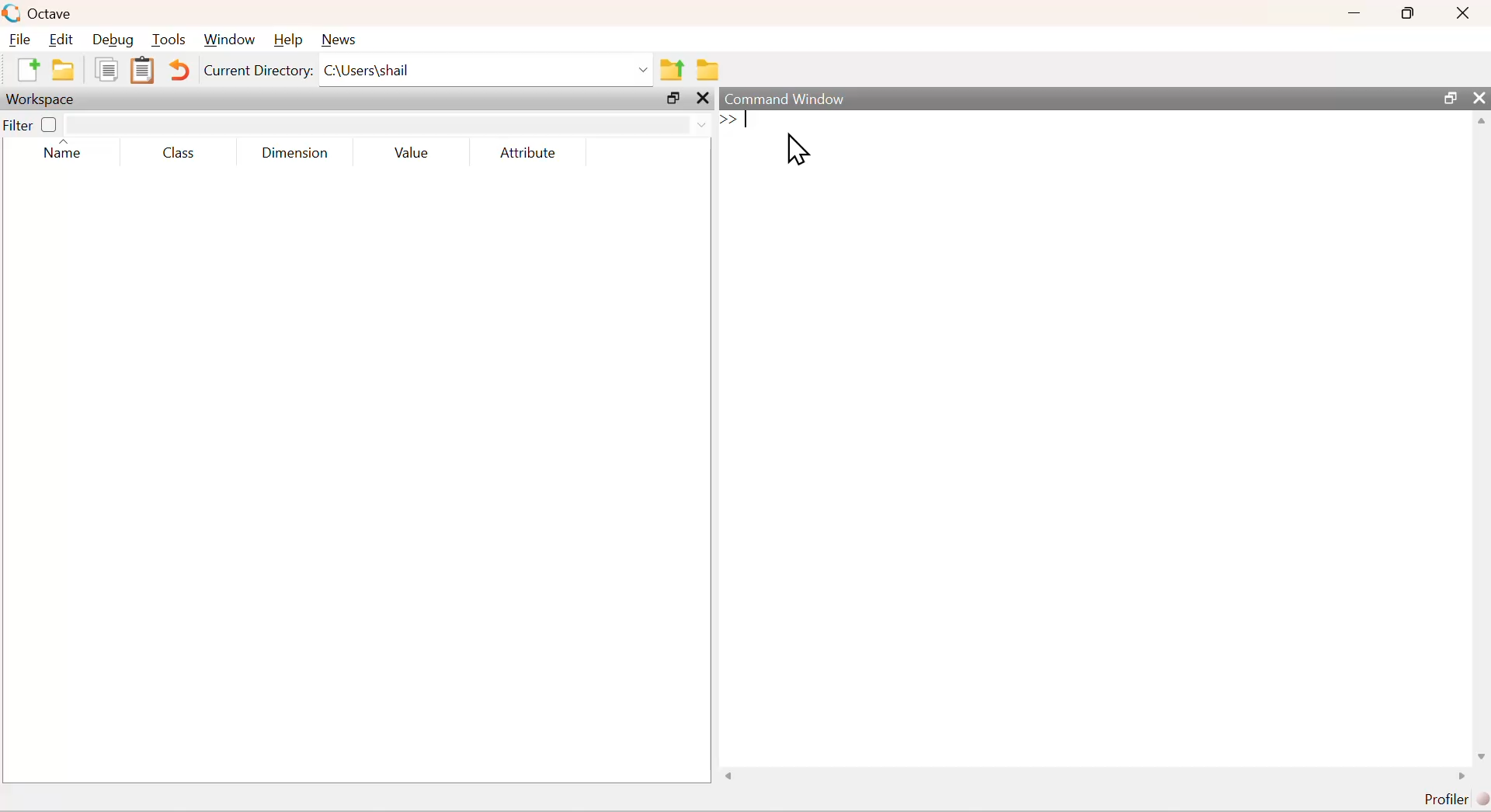 This screenshot has height=812, width=1491. Describe the element at coordinates (1414, 12) in the screenshot. I see `Maximize` at that location.